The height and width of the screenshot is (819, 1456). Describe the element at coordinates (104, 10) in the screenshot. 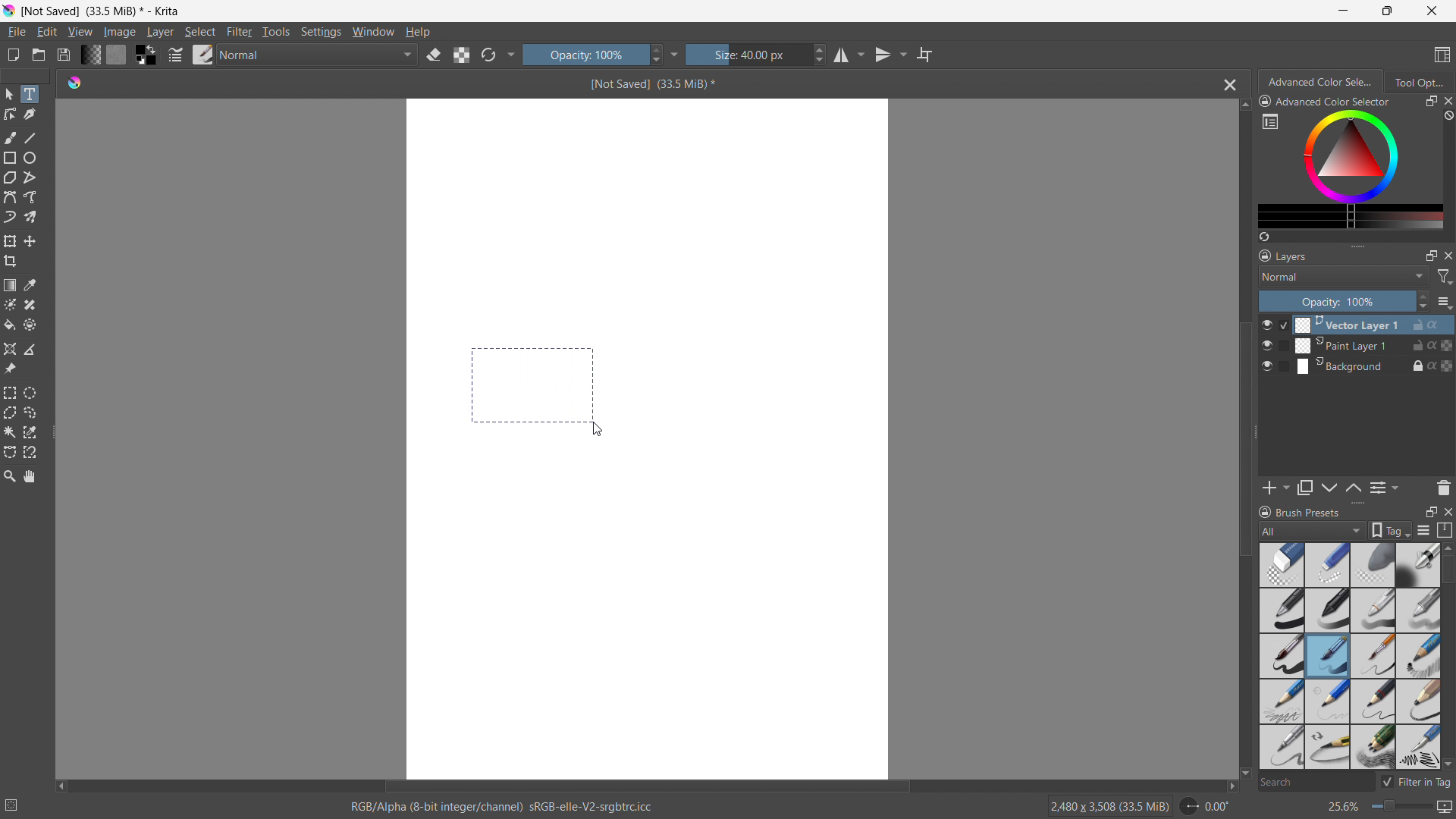

I see `not saved (33.5 MB)* - Krita` at that location.